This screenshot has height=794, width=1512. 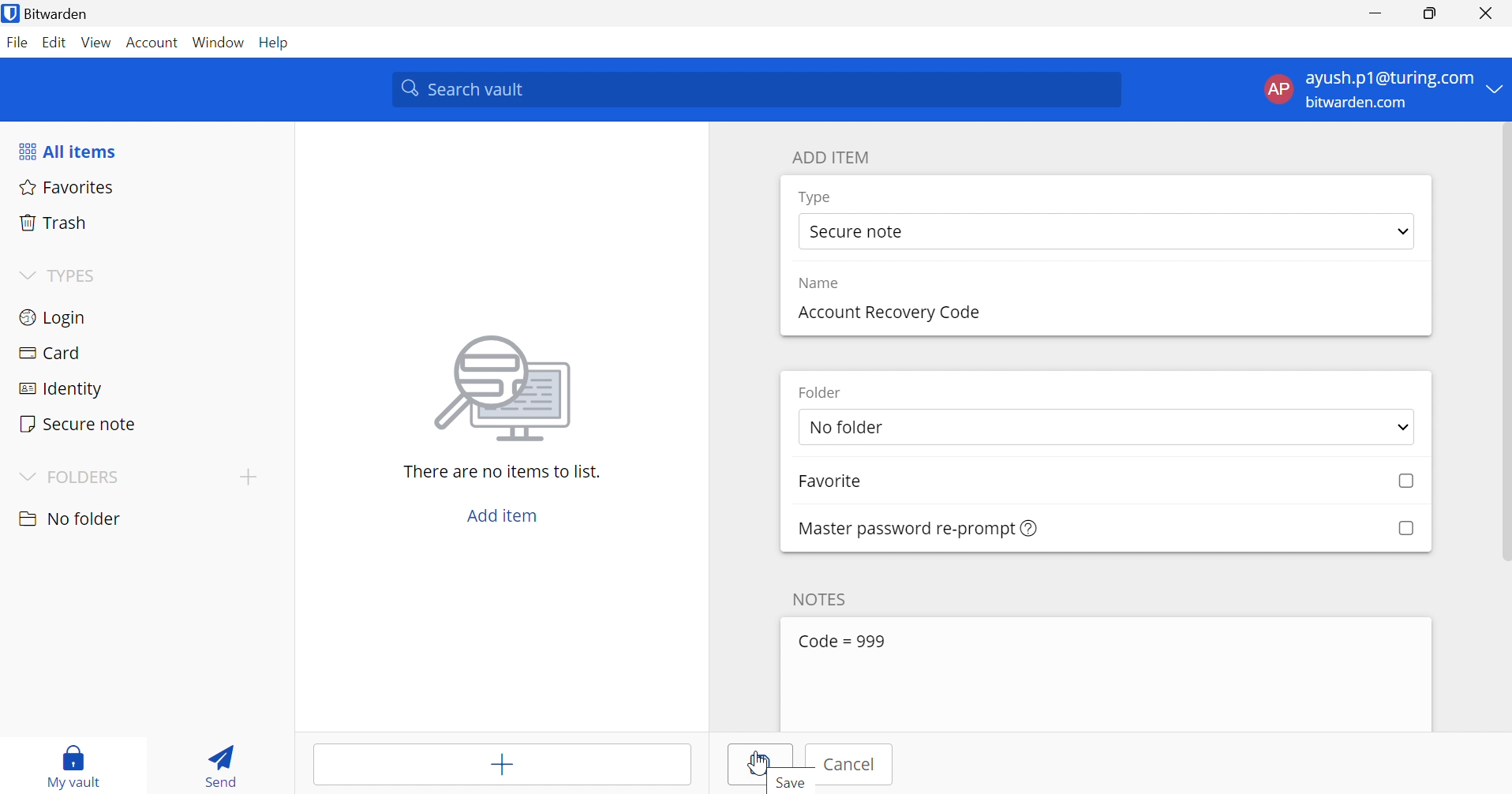 I want to click on View, so click(x=96, y=42).